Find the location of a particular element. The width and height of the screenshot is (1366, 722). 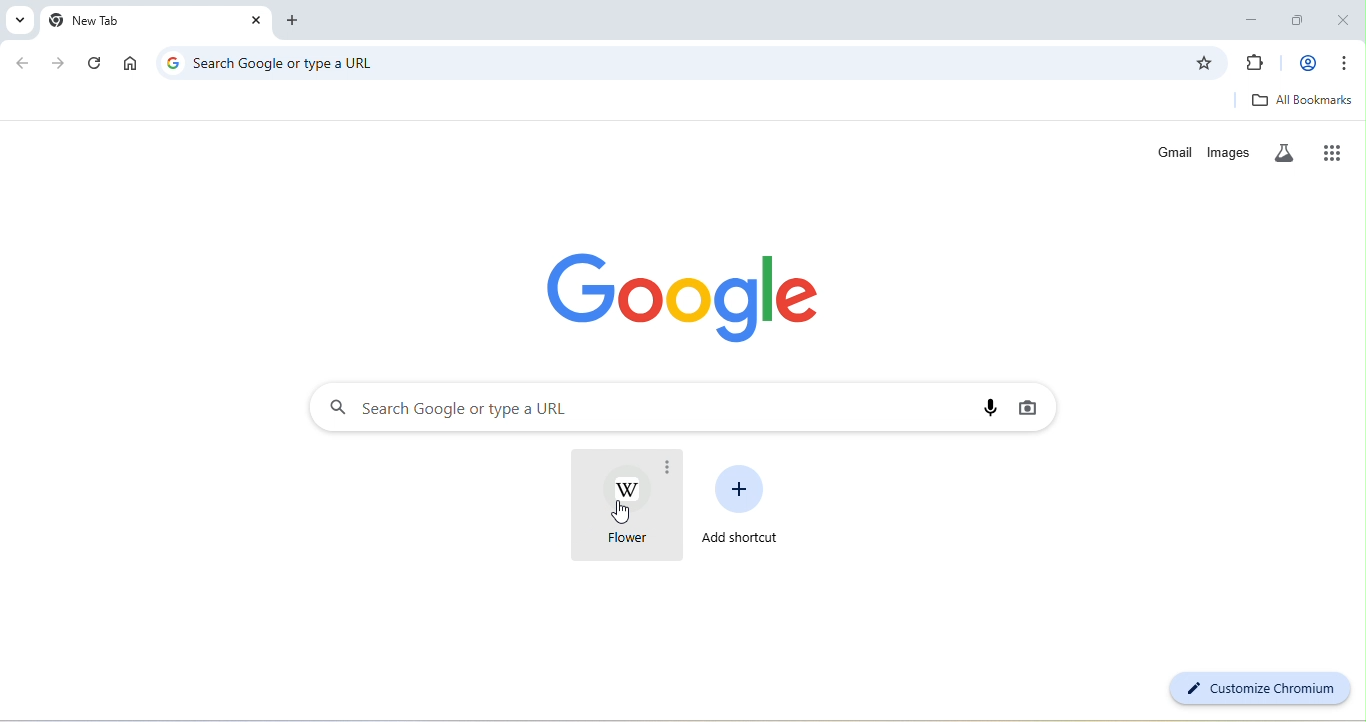

options is located at coordinates (668, 469).